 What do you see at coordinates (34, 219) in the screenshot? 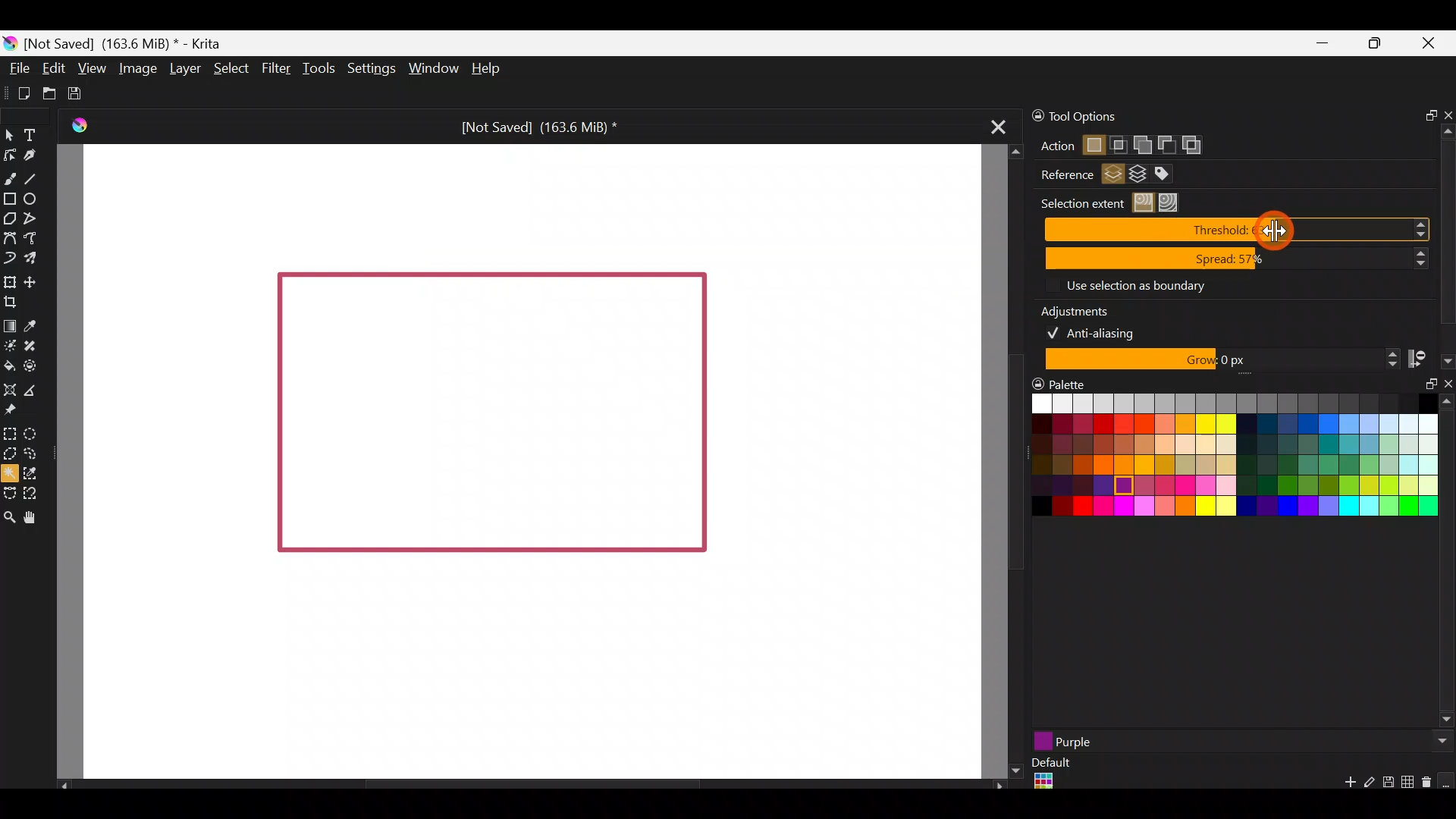
I see `Polyline tool` at bounding box center [34, 219].